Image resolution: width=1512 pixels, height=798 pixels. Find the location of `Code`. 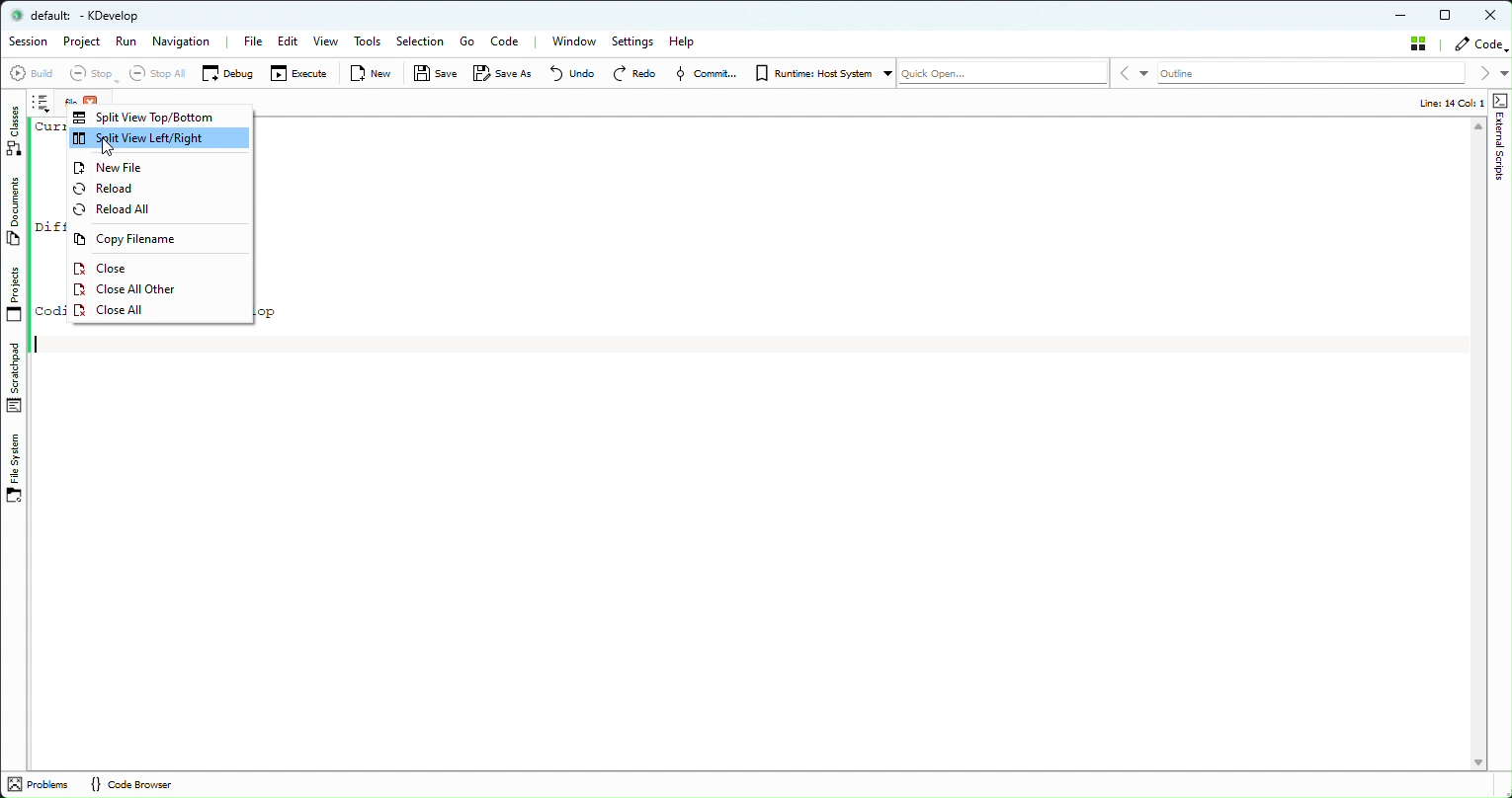

Code is located at coordinates (1479, 45).